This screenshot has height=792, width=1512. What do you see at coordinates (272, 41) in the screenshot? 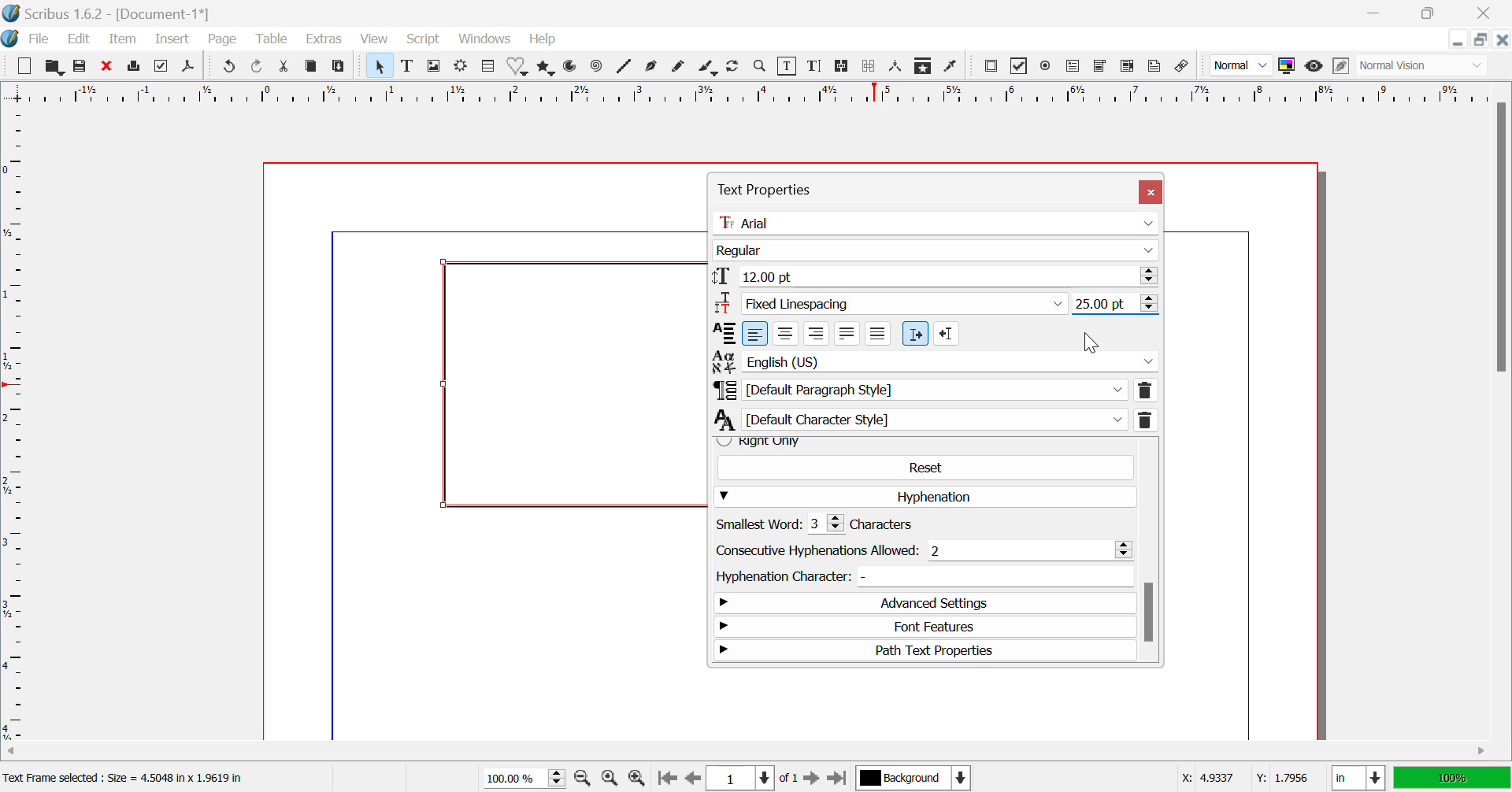
I see `Table` at bounding box center [272, 41].